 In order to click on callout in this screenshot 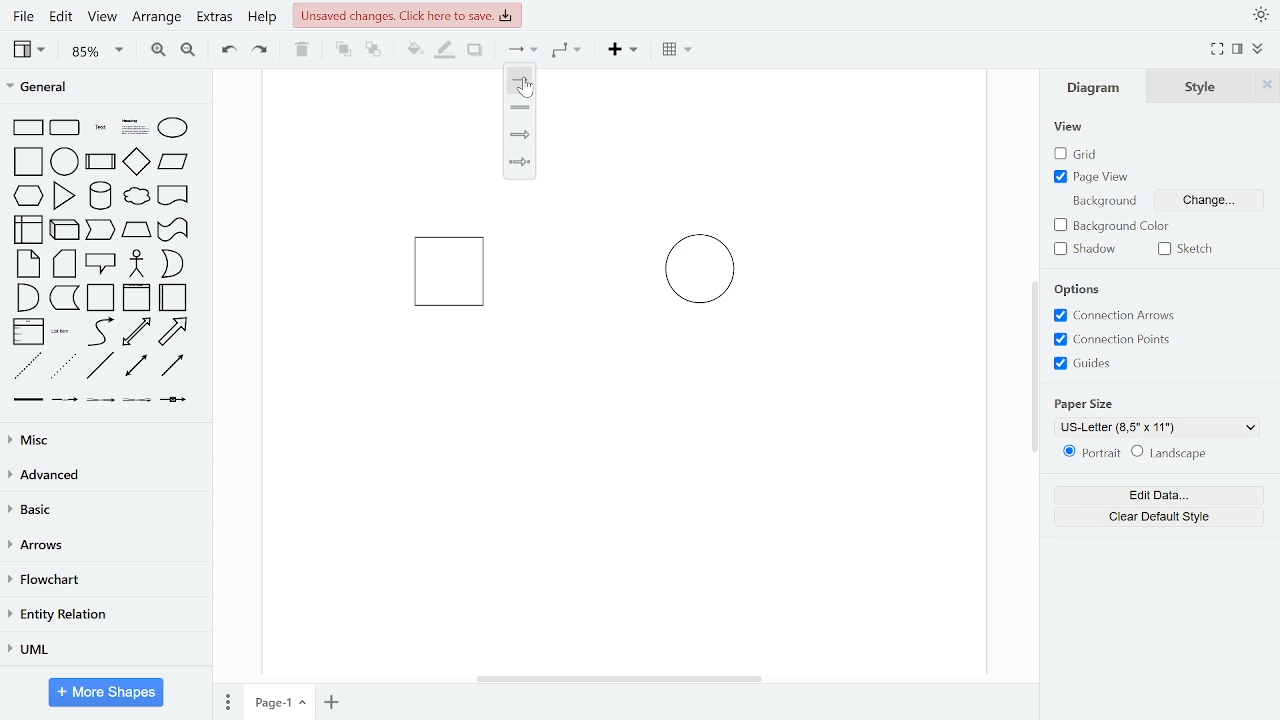, I will do `click(102, 264)`.